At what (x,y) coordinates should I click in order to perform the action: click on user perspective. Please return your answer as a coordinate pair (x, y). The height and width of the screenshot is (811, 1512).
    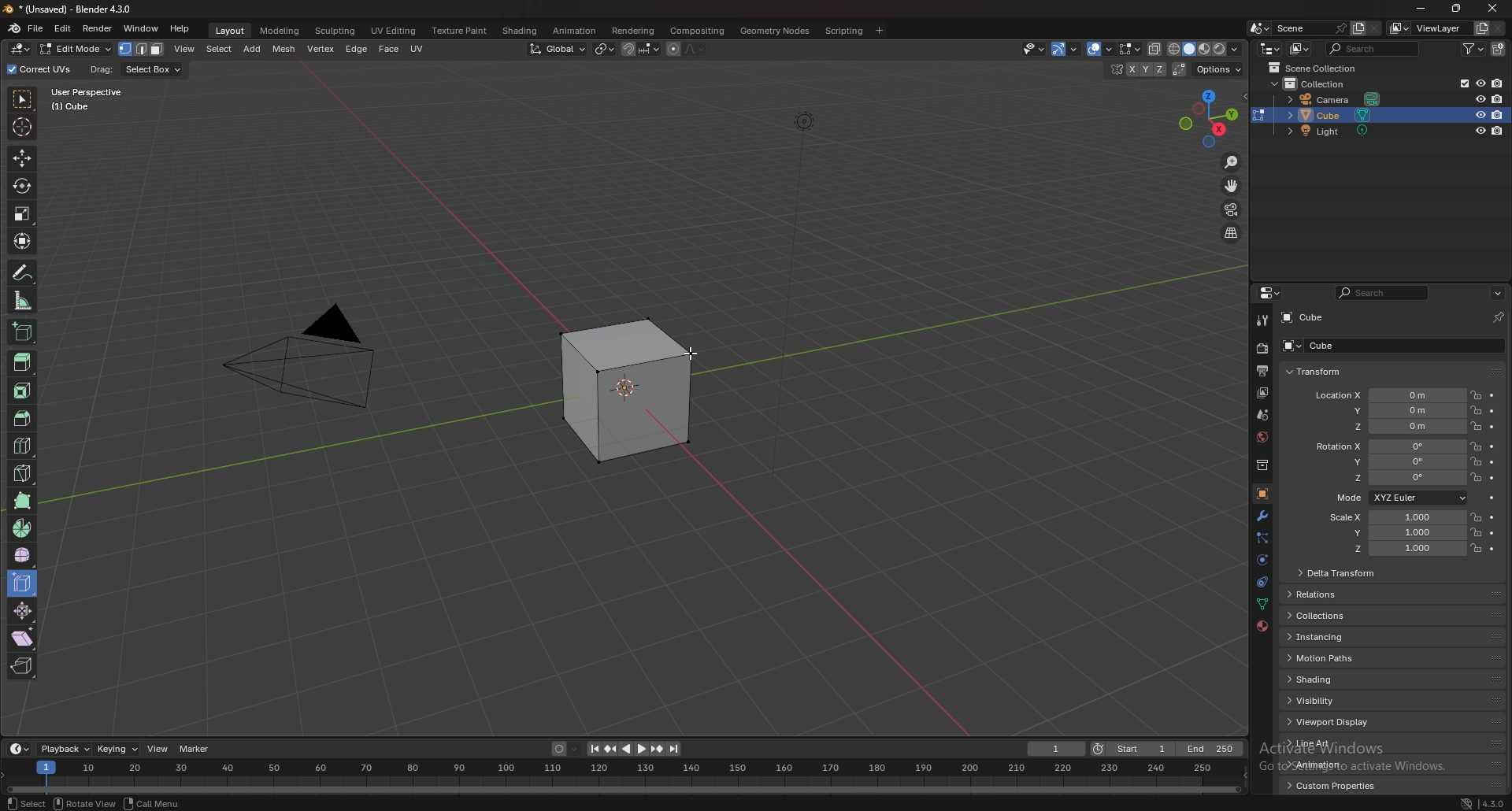
    Looking at the image, I should click on (98, 98).